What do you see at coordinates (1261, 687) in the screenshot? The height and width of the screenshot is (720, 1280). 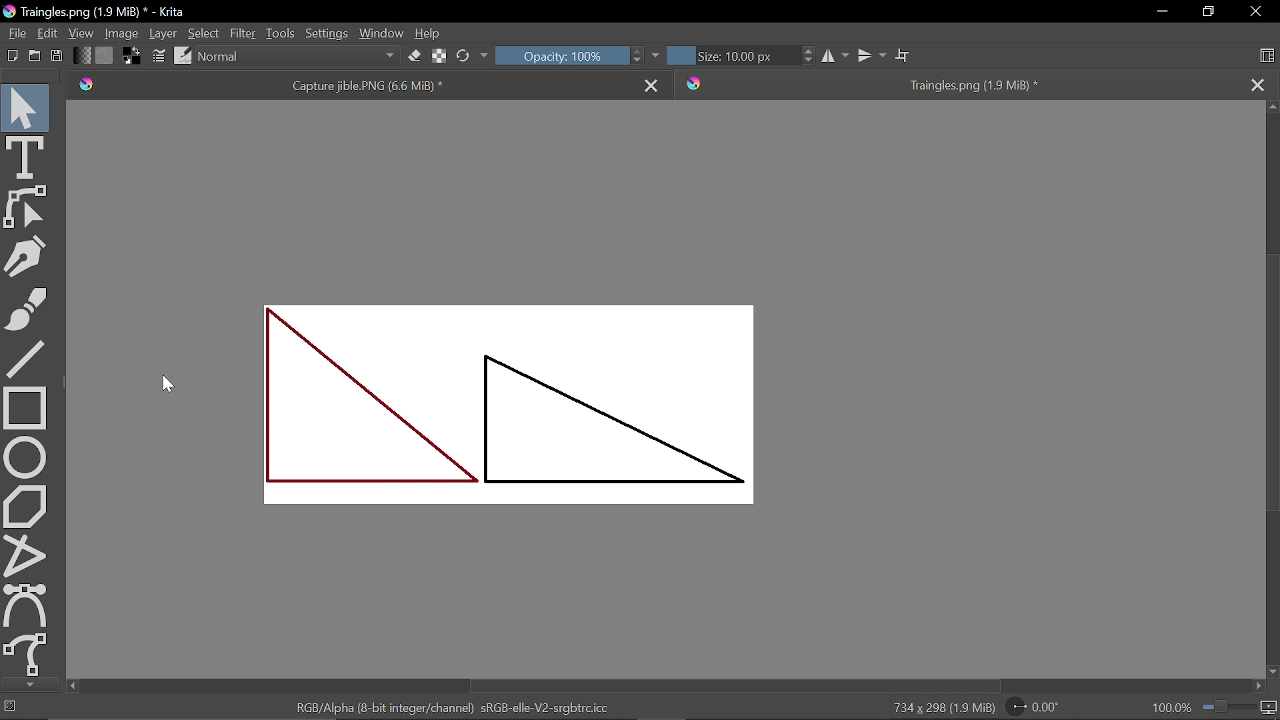 I see `Move right` at bounding box center [1261, 687].